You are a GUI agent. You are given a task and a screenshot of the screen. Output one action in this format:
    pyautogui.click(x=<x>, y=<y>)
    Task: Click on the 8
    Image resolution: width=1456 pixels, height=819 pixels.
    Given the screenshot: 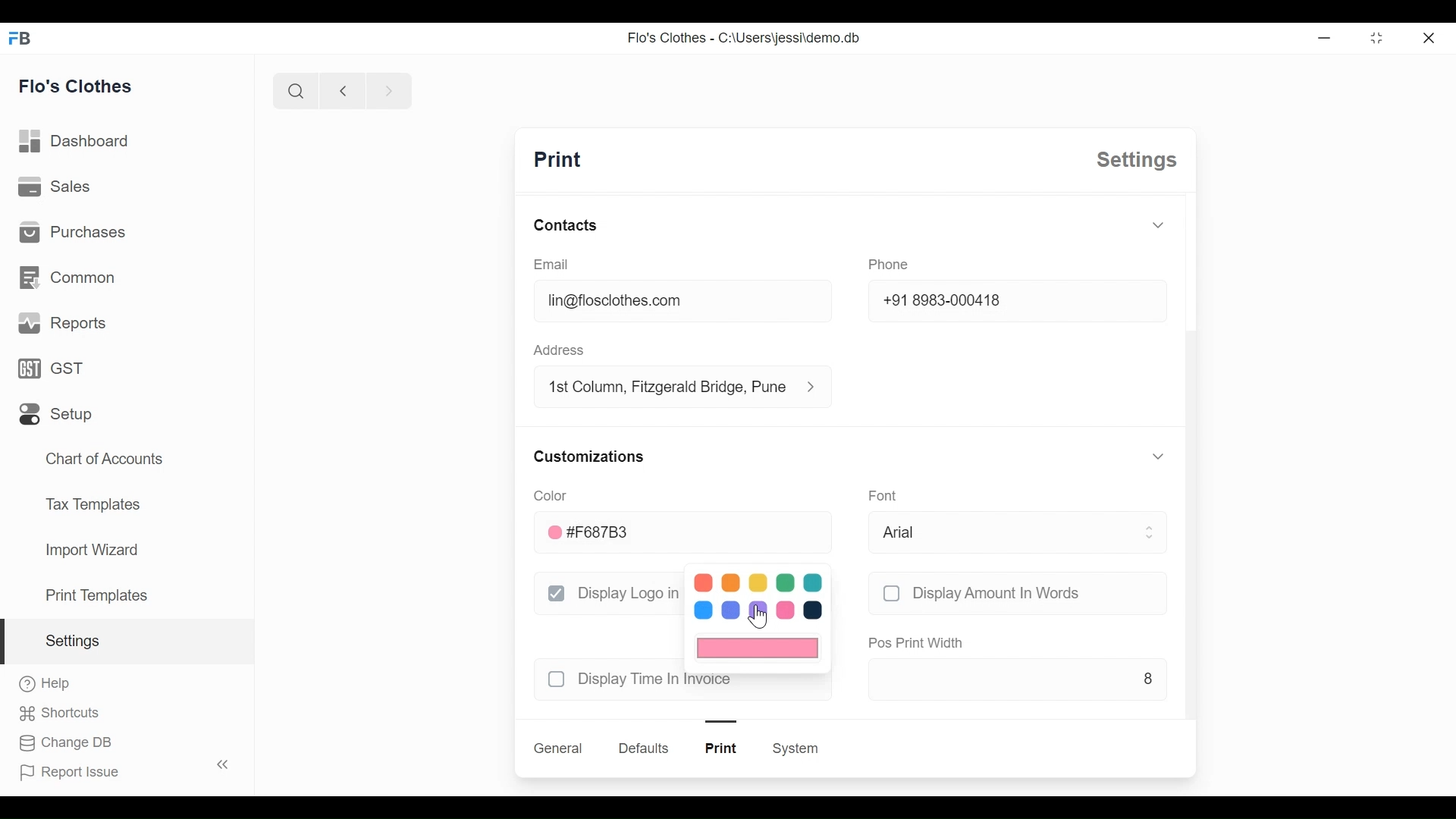 What is the action you would take?
    pyautogui.click(x=1018, y=678)
    